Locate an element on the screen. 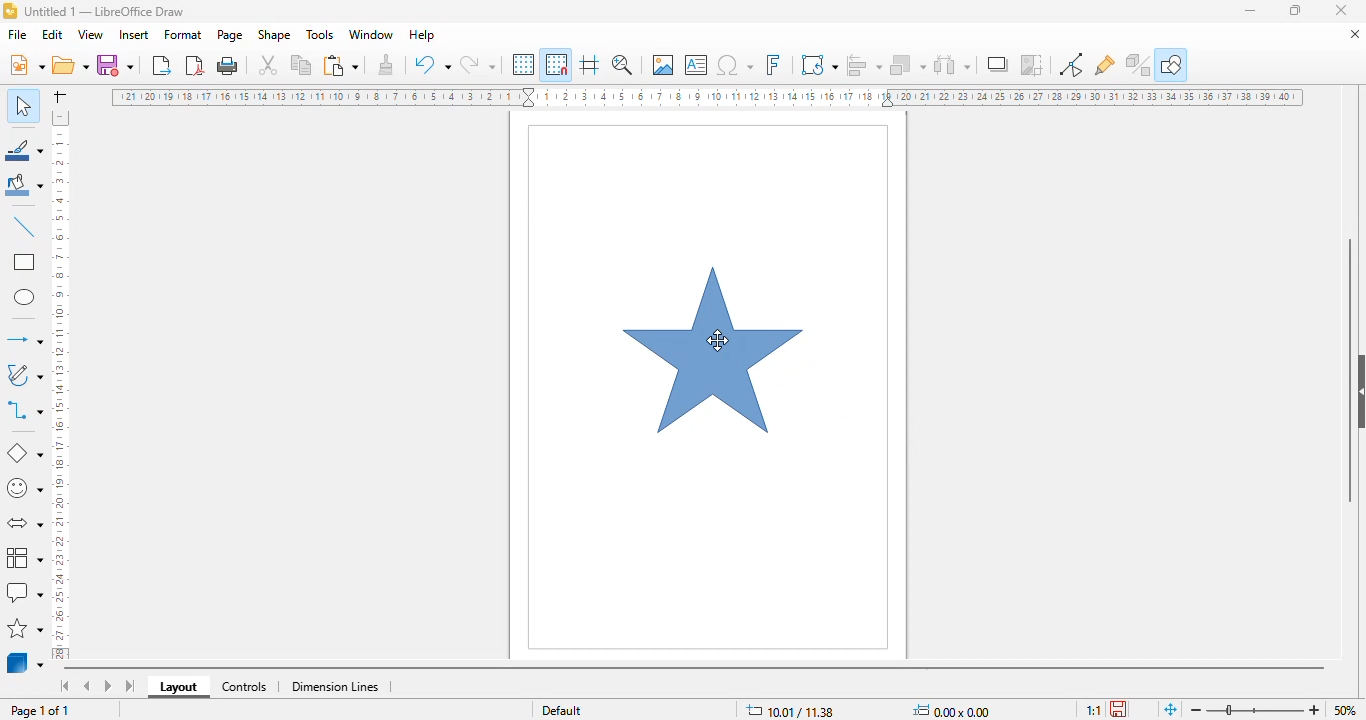 This screenshot has height=720, width=1366. X&Y Coordinates is located at coordinates (793, 710).